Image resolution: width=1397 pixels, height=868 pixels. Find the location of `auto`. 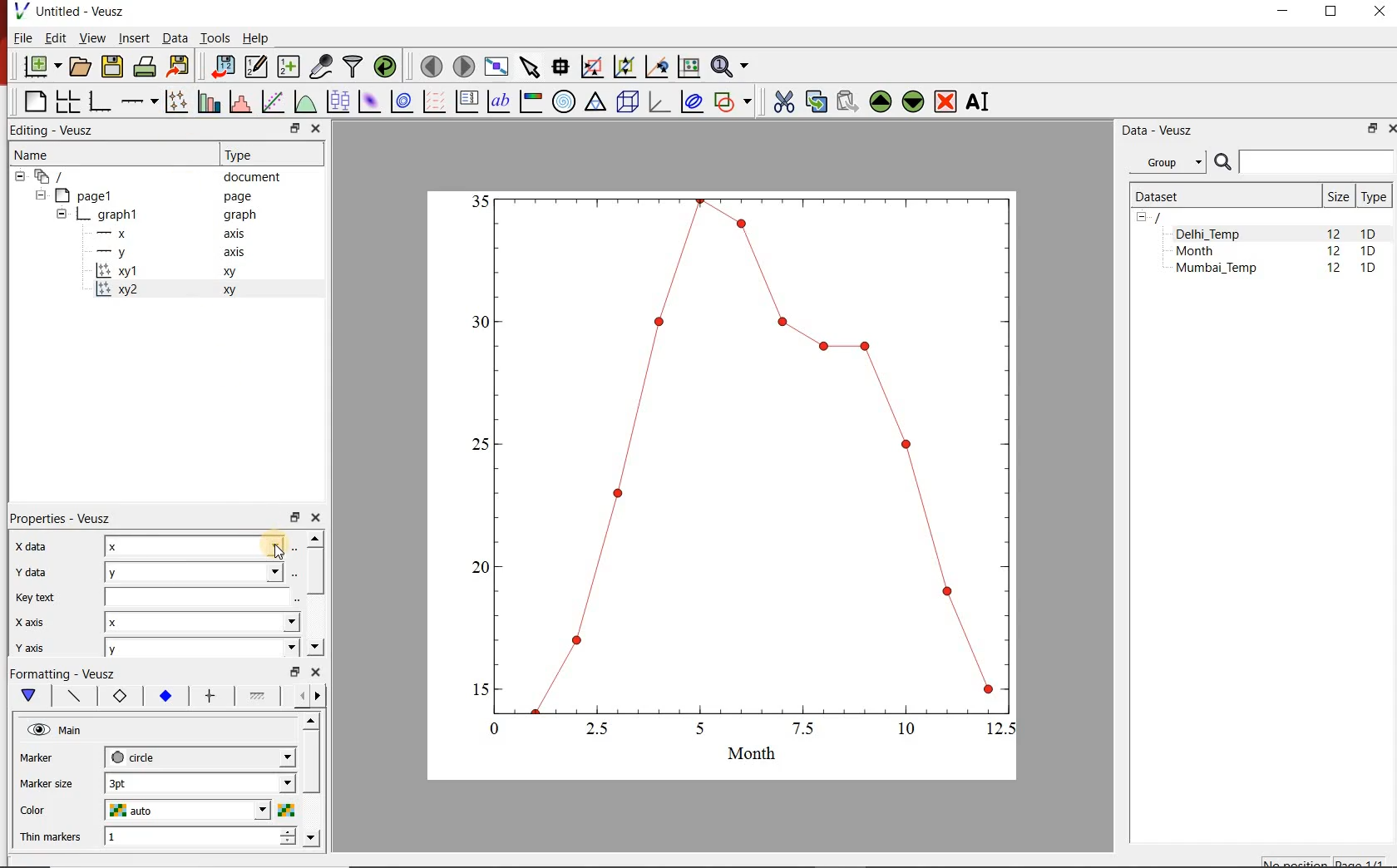

auto is located at coordinates (199, 810).